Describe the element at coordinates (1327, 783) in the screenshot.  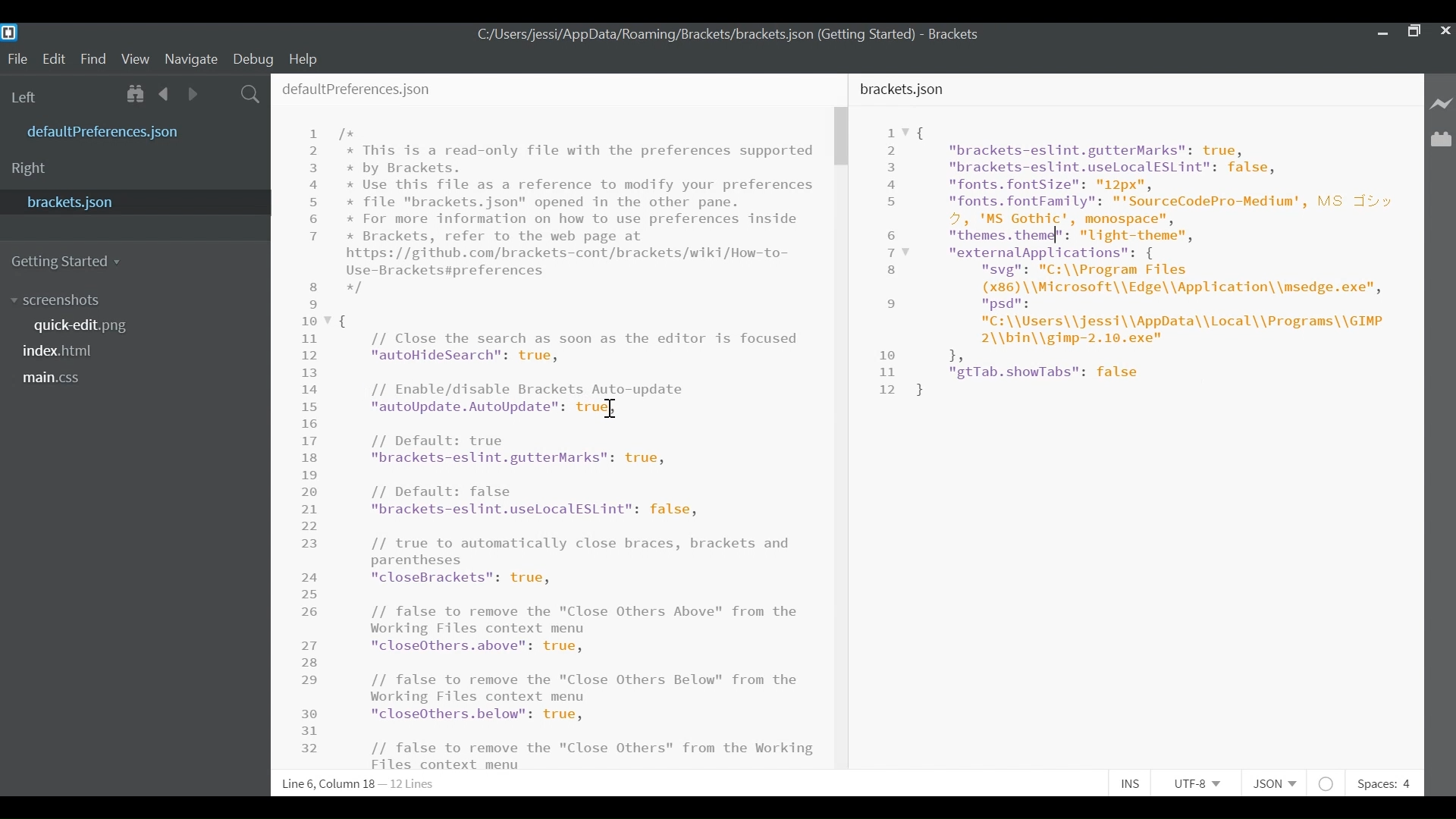
I see `No lintel available for JSON` at that location.